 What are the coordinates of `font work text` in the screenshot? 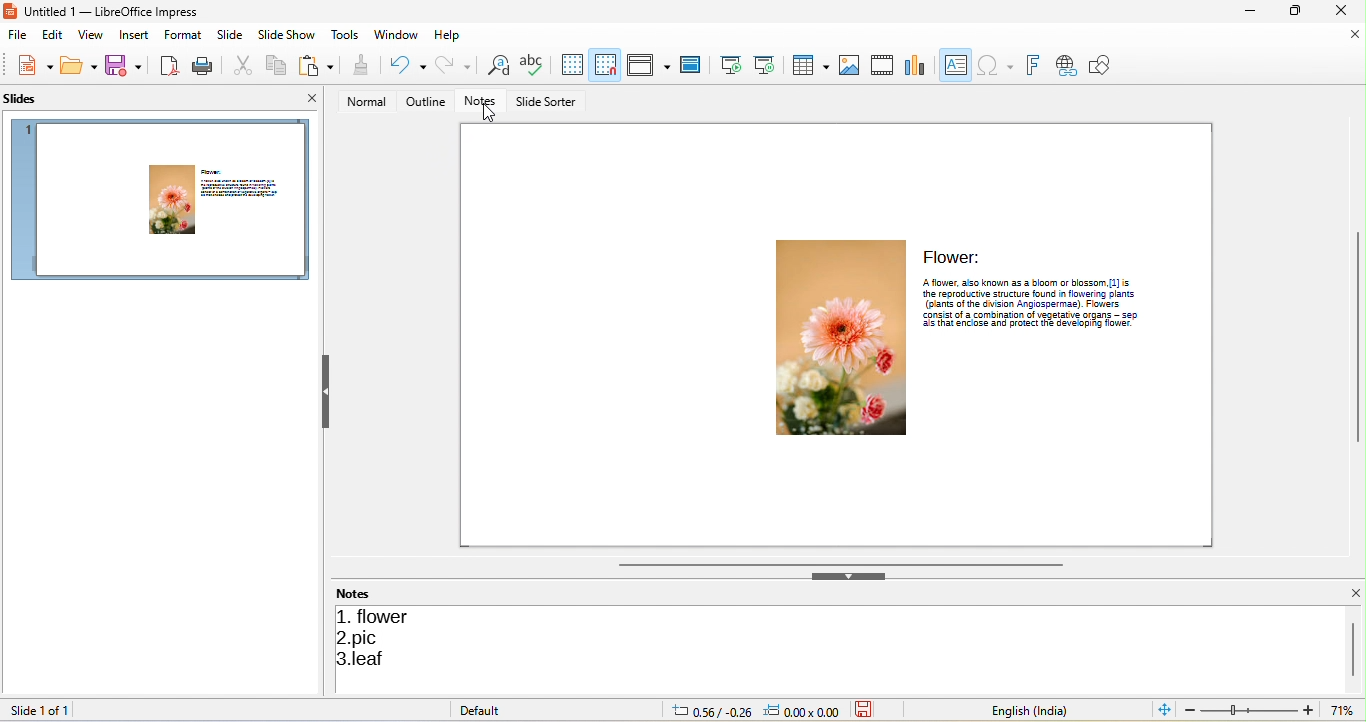 It's located at (1032, 63).